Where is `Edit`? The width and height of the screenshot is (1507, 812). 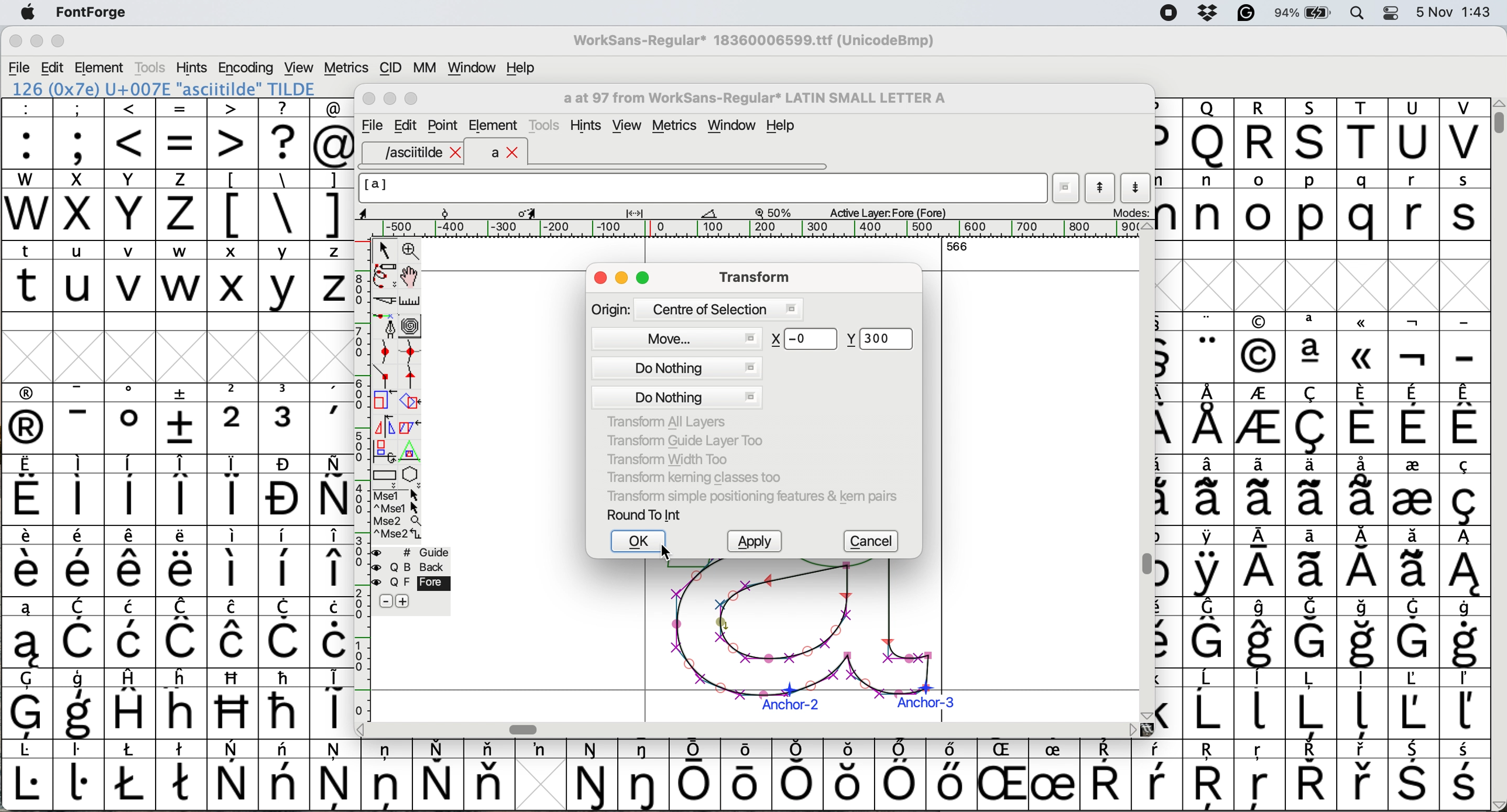
Edit is located at coordinates (405, 125).